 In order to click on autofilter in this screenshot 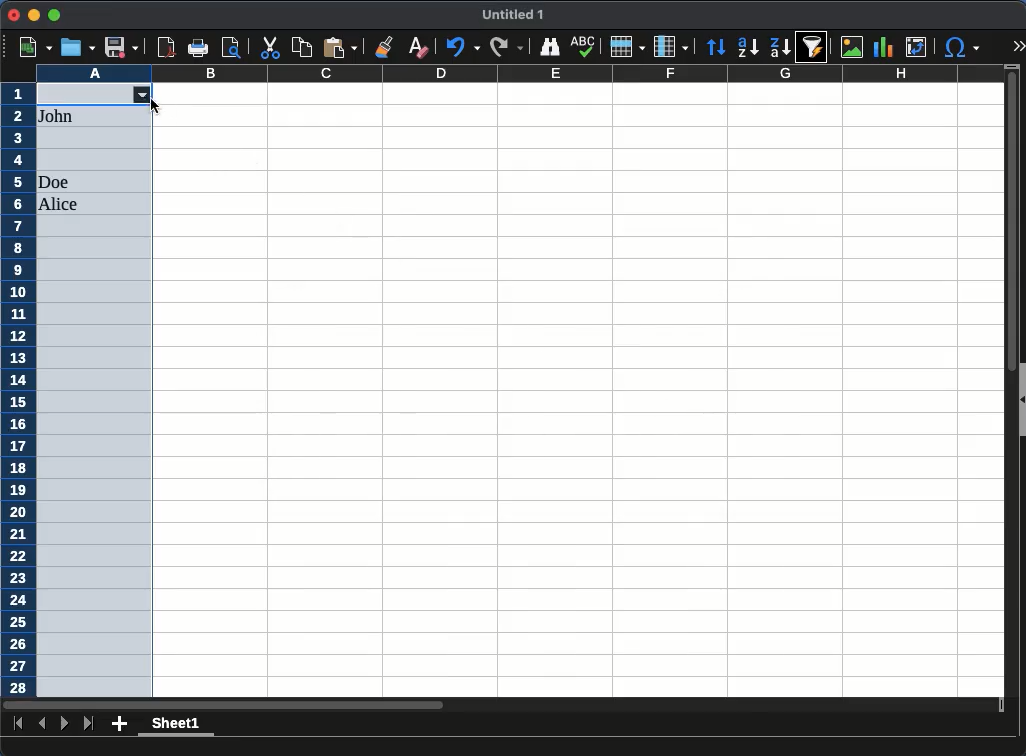, I will do `click(813, 46)`.